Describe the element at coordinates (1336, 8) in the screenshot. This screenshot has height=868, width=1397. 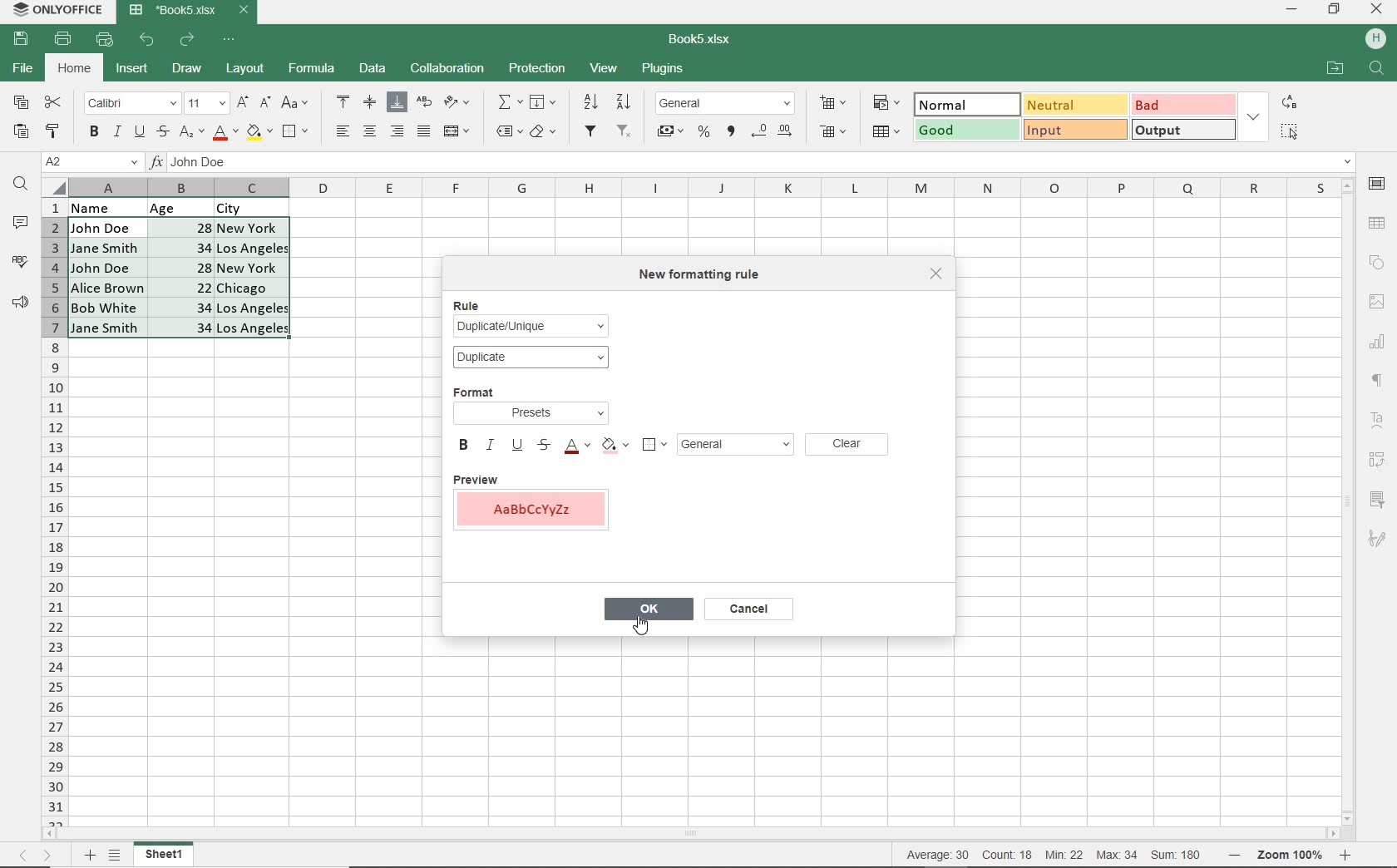
I see `RESTORE DOWN` at that location.